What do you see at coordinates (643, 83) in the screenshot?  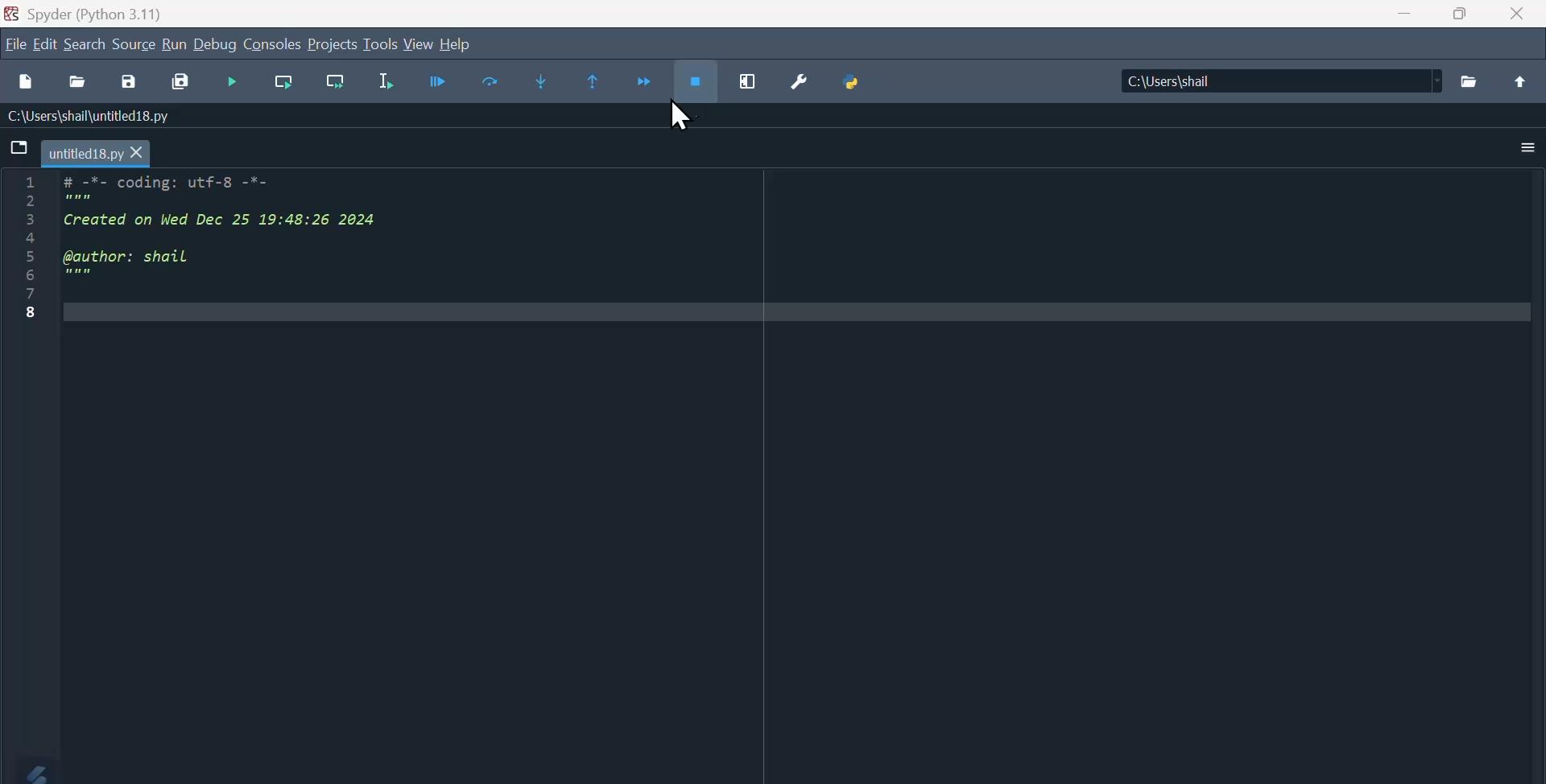 I see `Continue execution until breakout` at bounding box center [643, 83].